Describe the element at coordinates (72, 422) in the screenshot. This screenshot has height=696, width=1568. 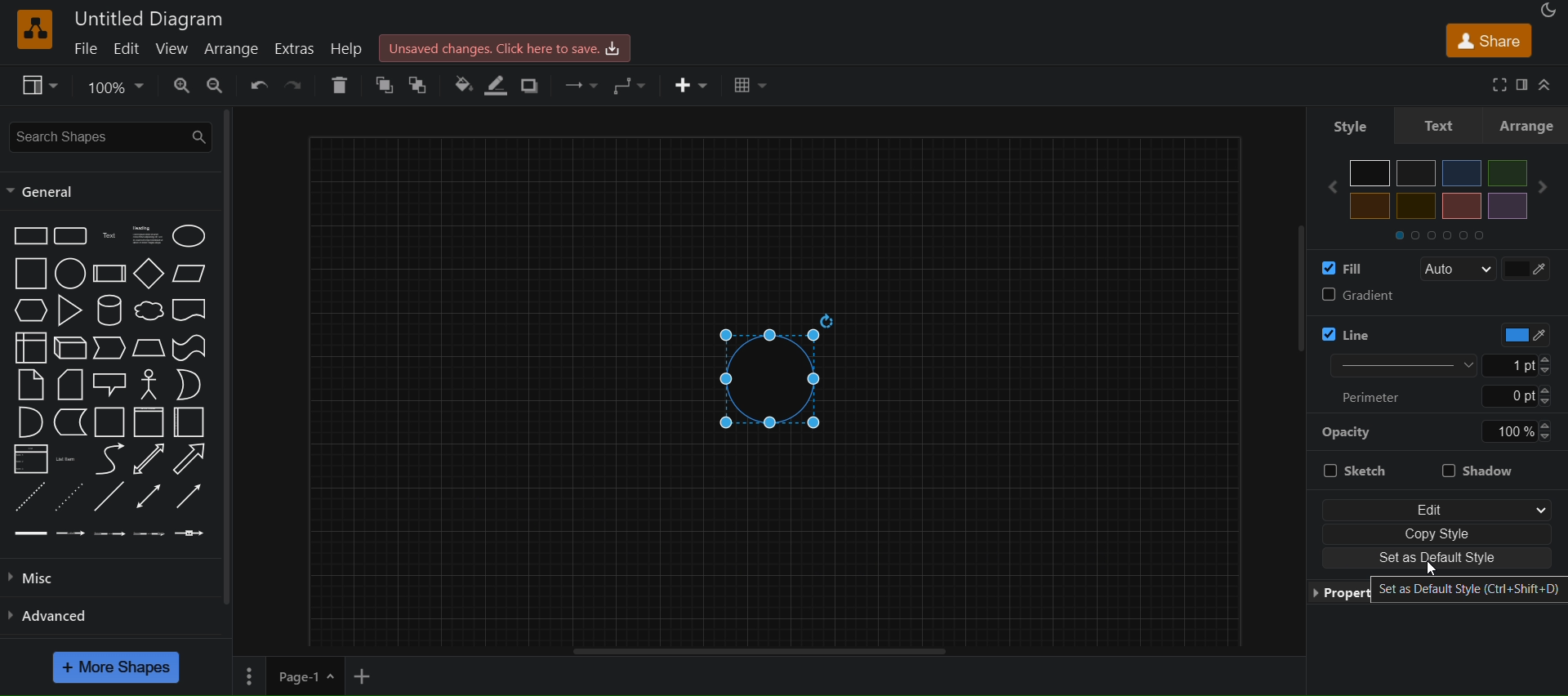
I see `data storage` at that location.